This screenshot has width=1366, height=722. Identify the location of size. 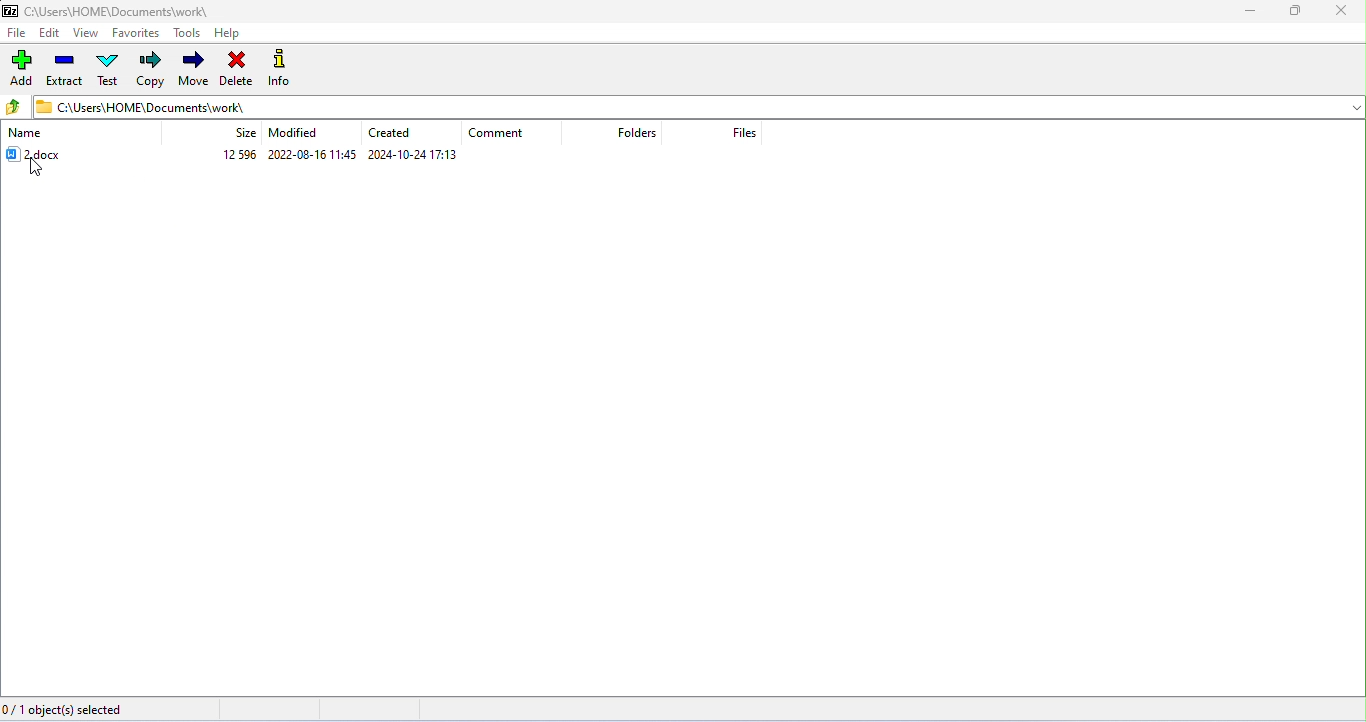
(246, 132).